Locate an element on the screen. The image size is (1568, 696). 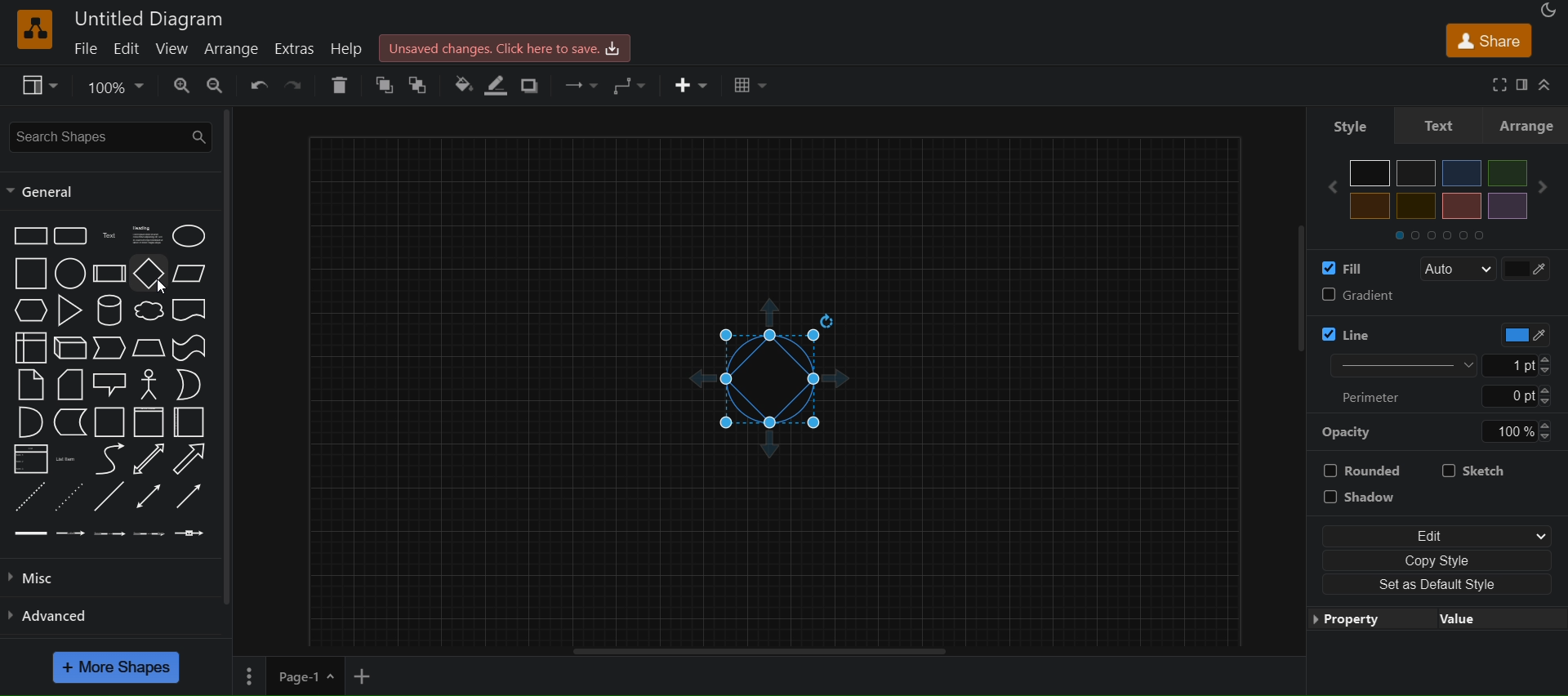
view is located at coordinates (173, 48).